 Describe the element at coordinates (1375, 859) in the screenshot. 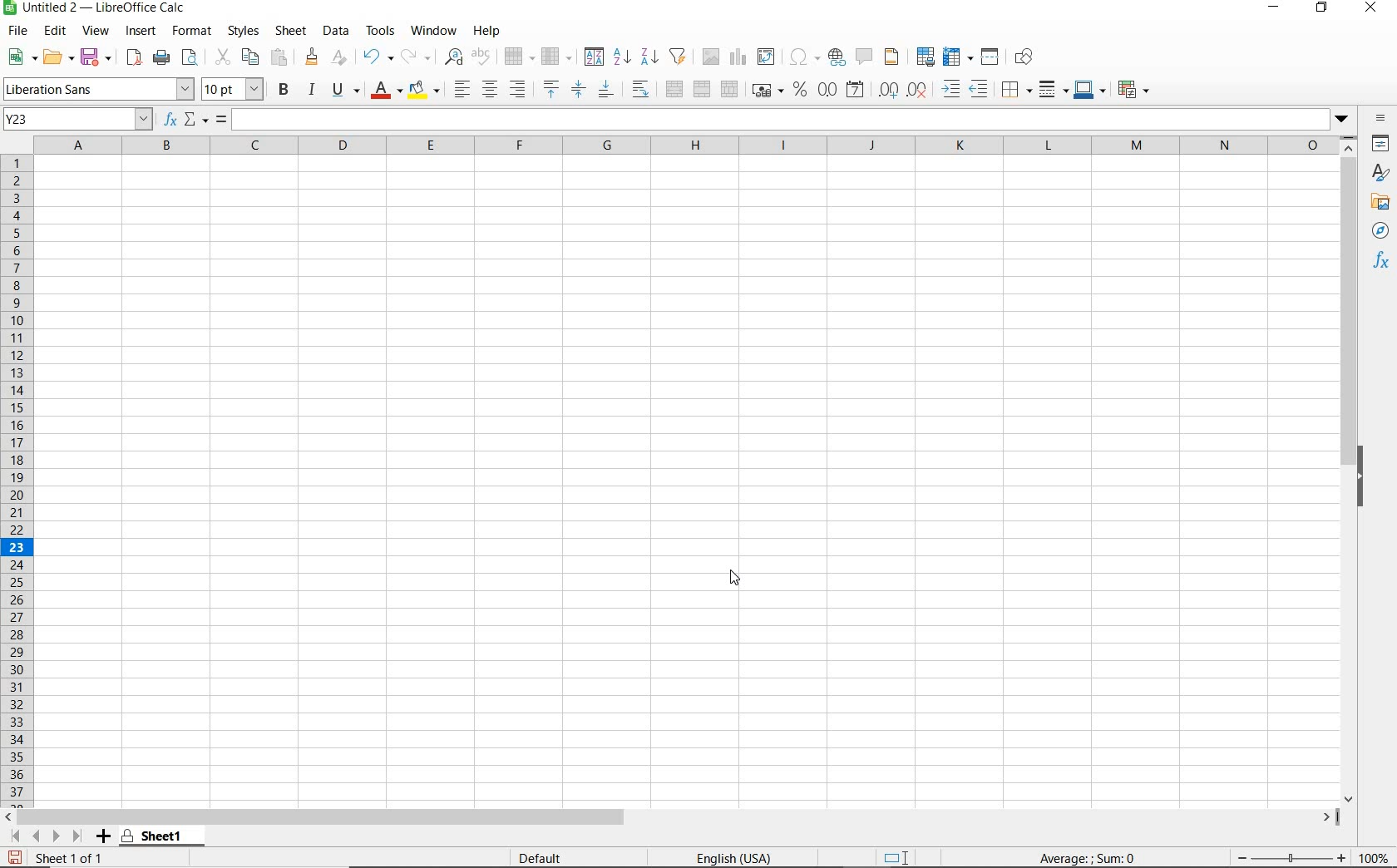

I see `ZOOM FACTOR` at that location.